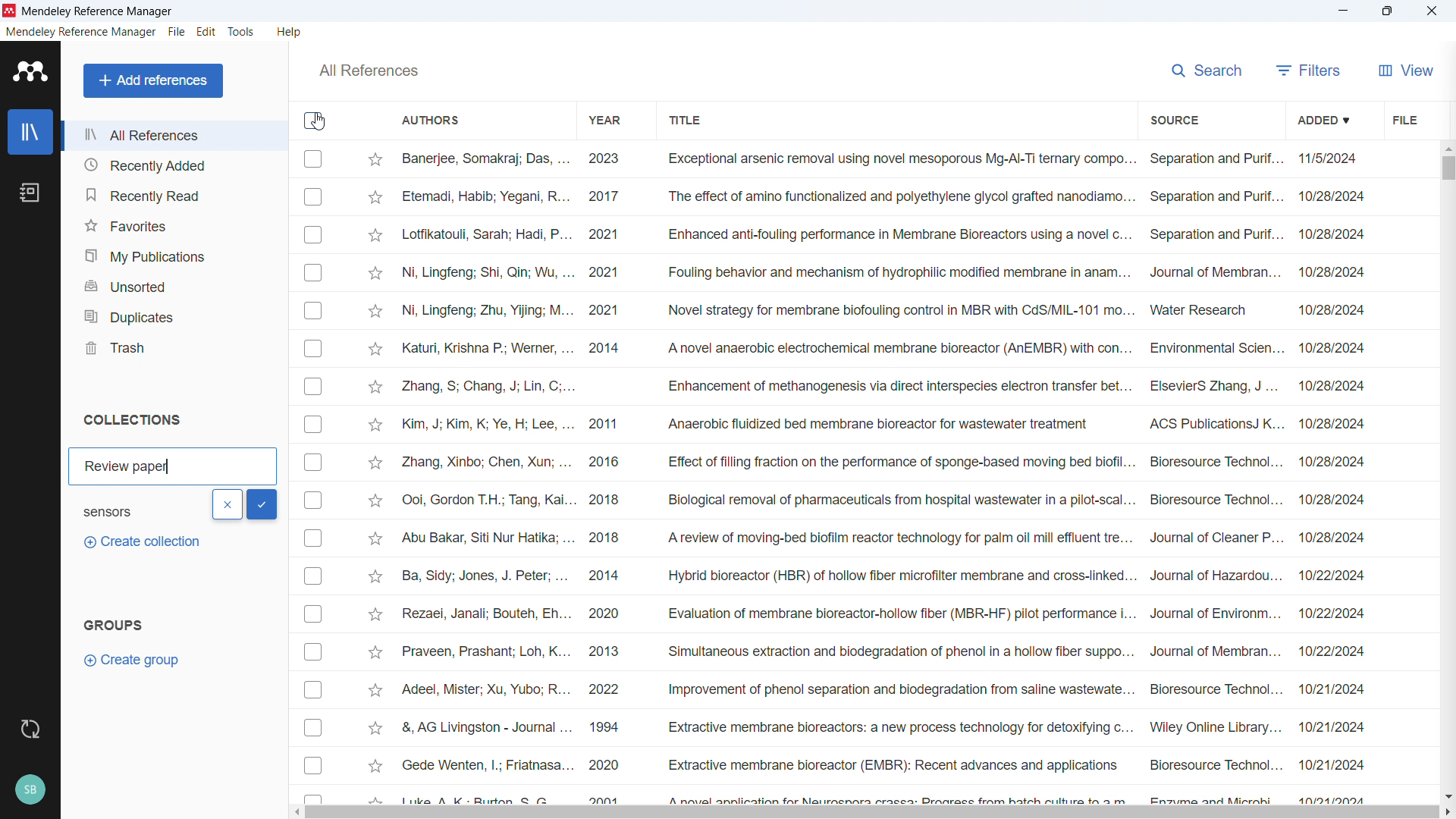  I want to click on Source, so click(1175, 118).